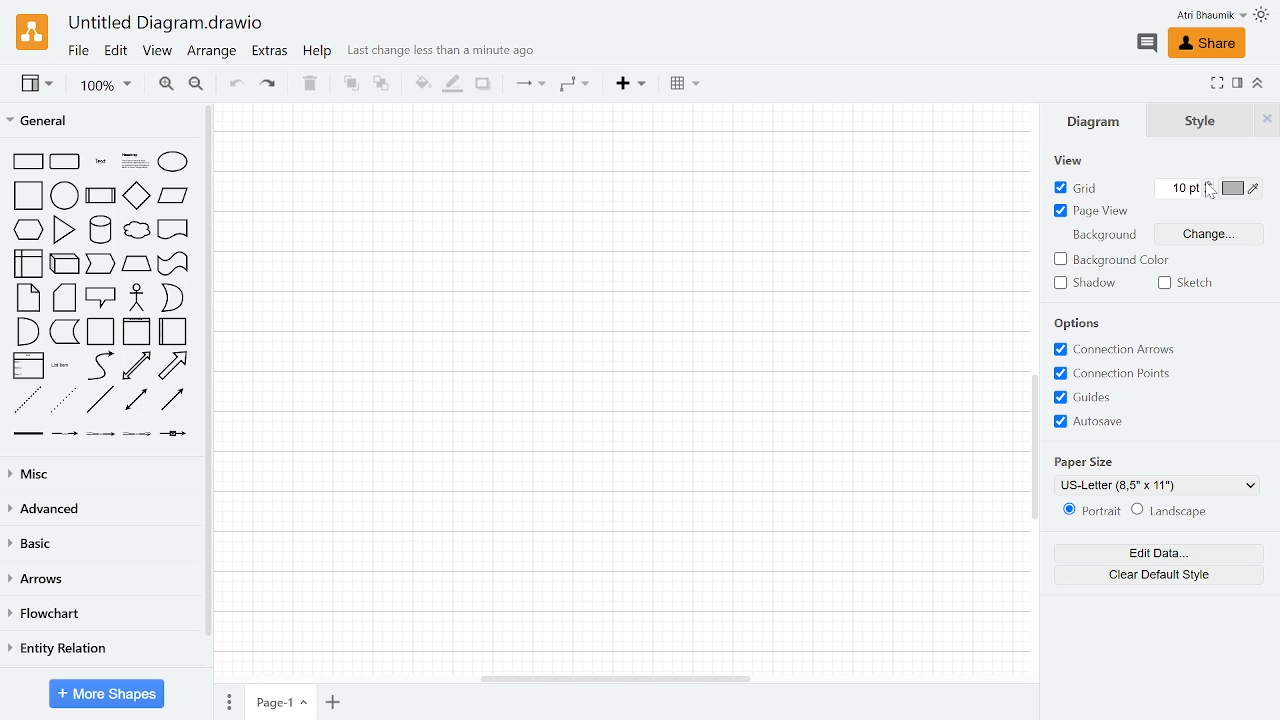 Image resolution: width=1280 pixels, height=720 pixels. I want to click on To back, so click(378, 86).